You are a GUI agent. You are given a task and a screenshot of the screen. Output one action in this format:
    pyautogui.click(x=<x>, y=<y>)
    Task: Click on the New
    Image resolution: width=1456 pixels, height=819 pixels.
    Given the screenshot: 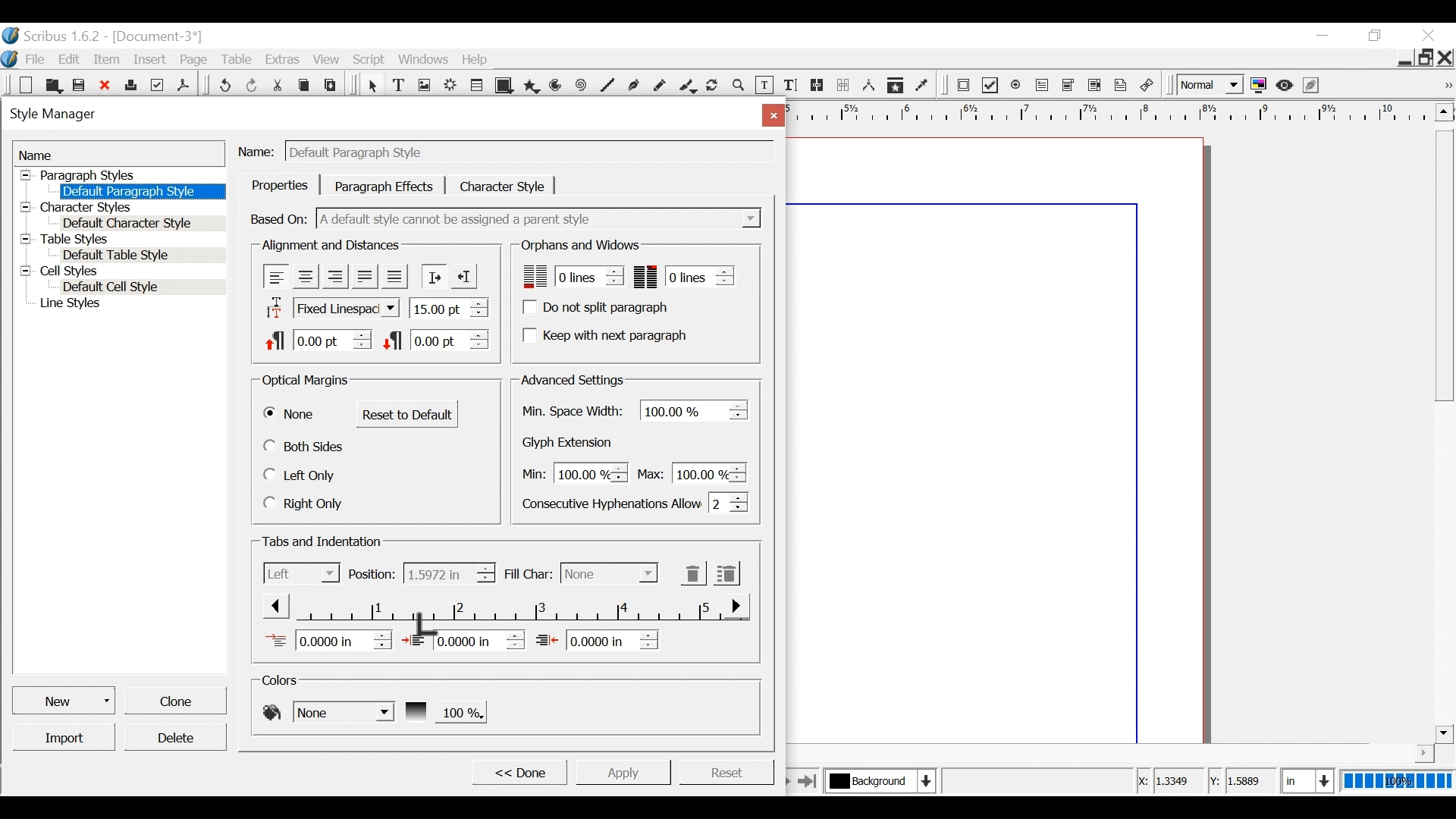 What is the action you would take?
    pyautogui.click(x=27, y=85)
    